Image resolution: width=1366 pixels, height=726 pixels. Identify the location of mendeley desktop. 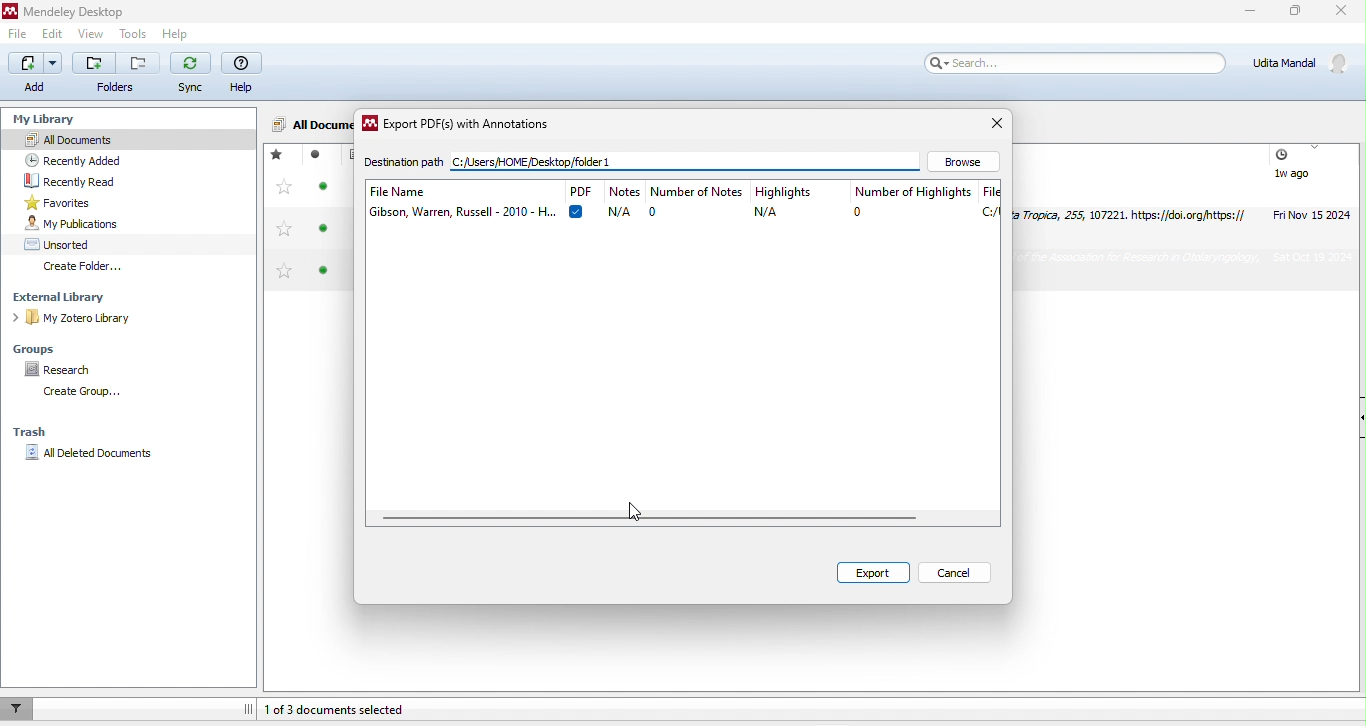
(88, 10).